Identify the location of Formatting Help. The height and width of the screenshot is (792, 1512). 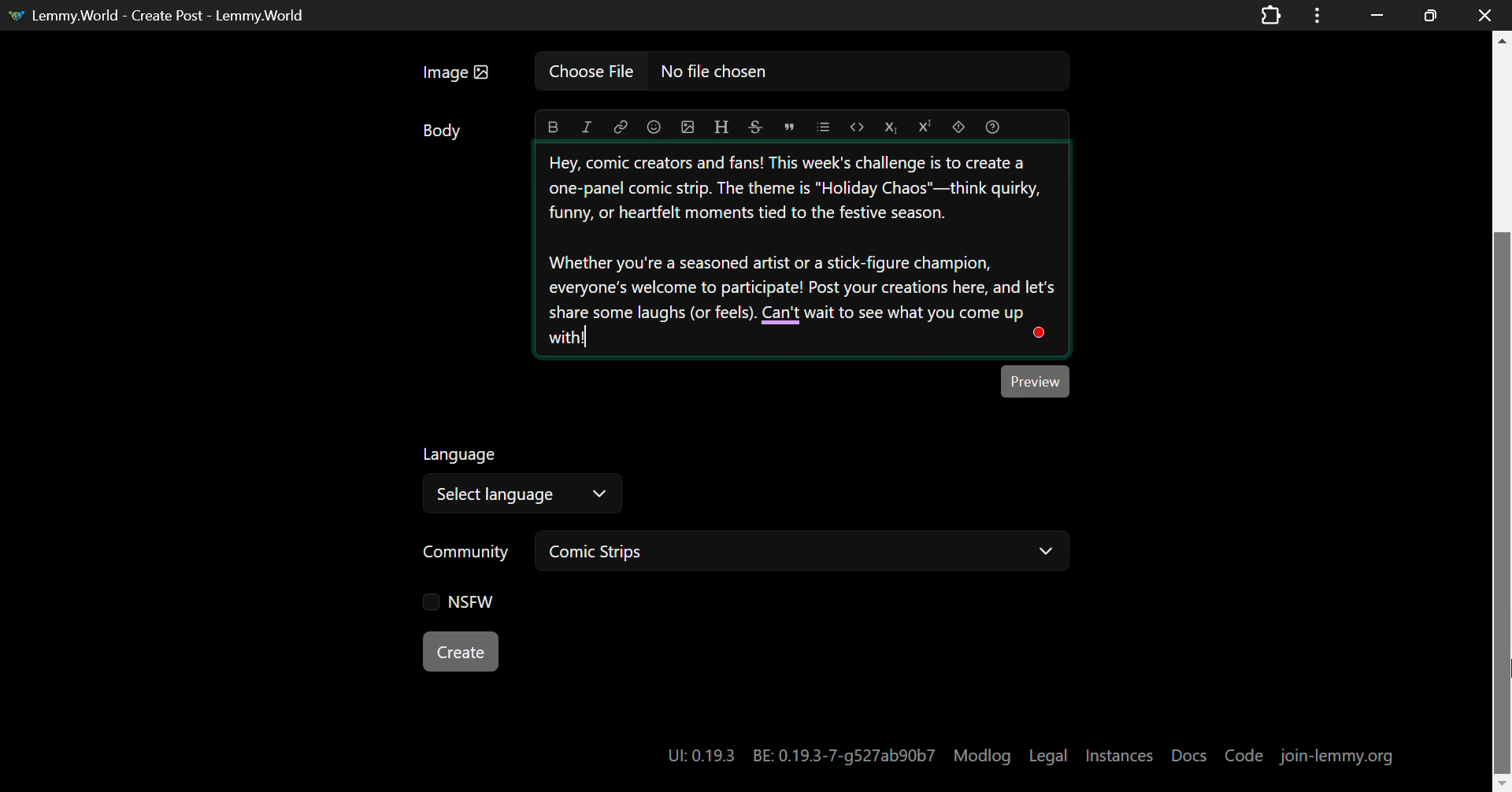
(996, 126).